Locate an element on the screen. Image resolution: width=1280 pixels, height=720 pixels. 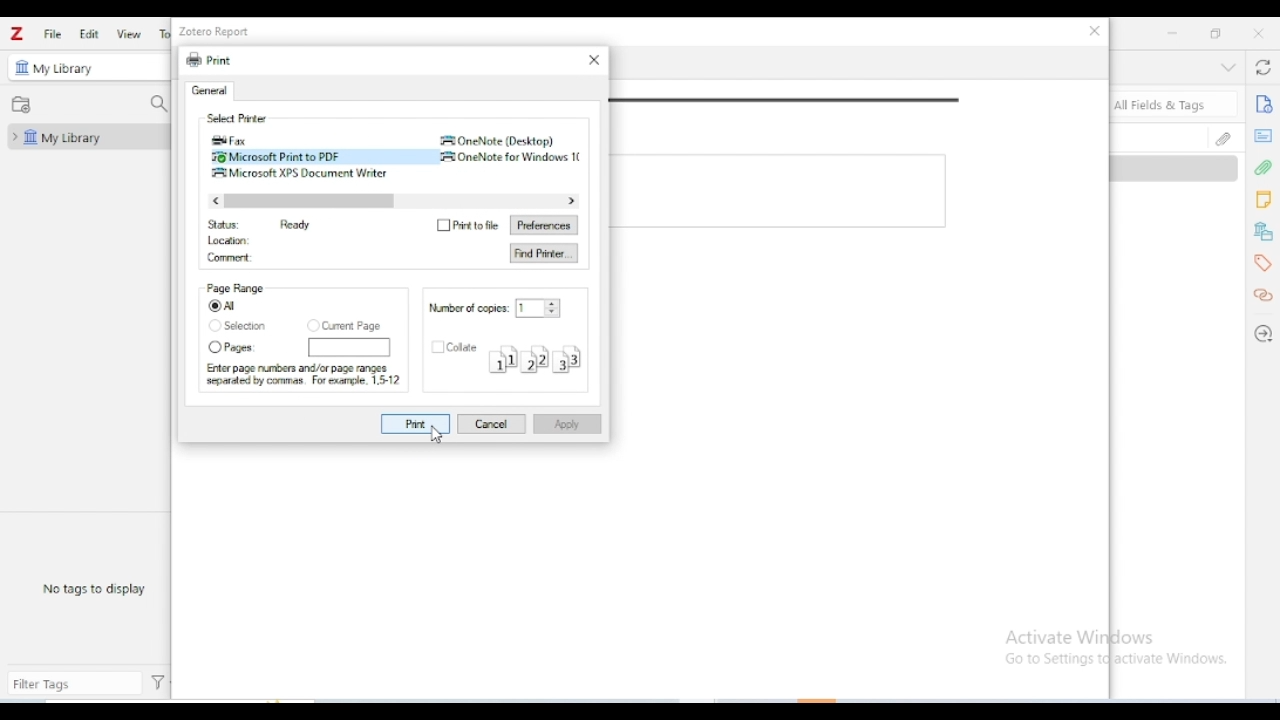
minimize is located at coordinates (1173, 33).